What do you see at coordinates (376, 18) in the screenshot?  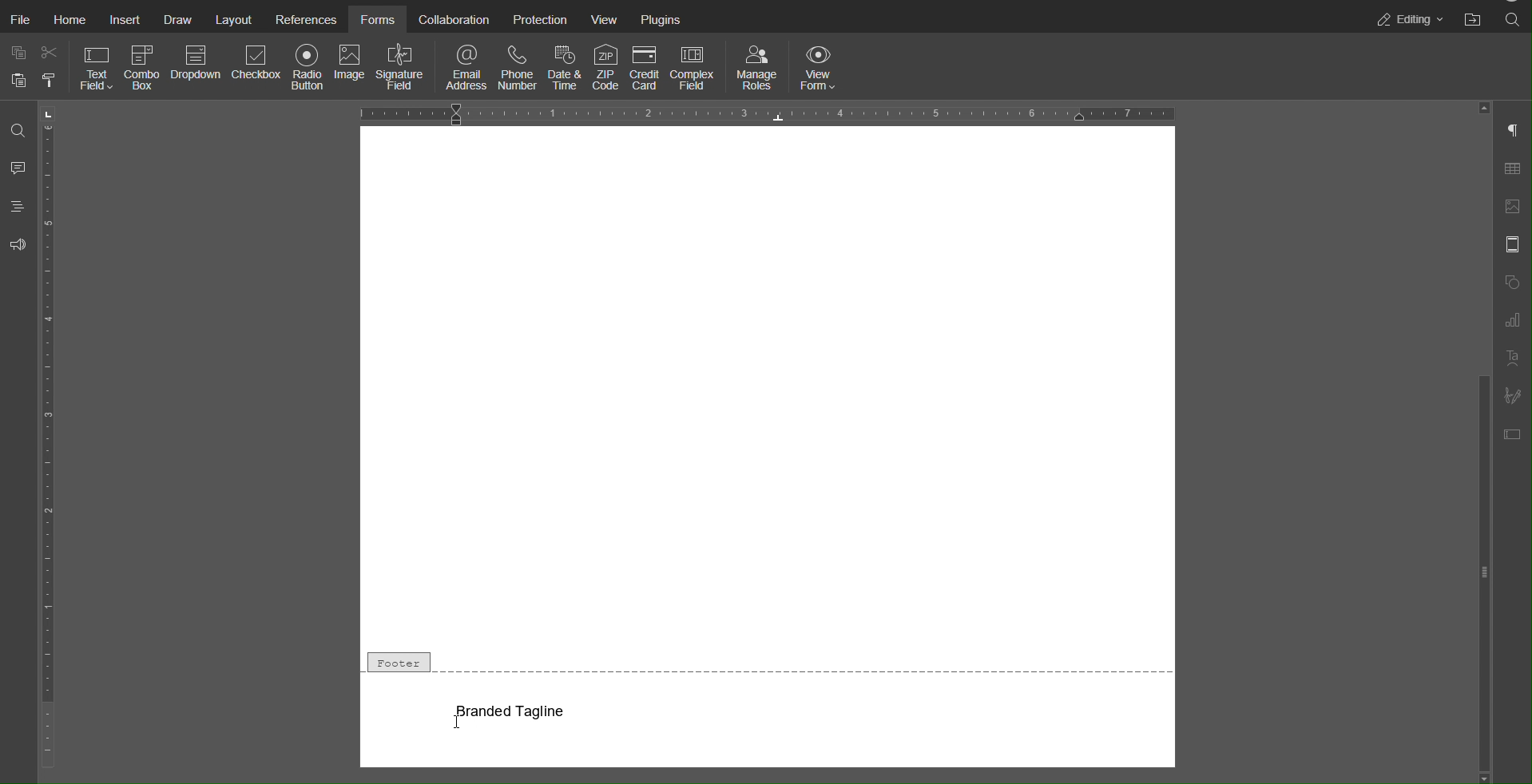 I see `Forms` at bounding box center [376, 18].